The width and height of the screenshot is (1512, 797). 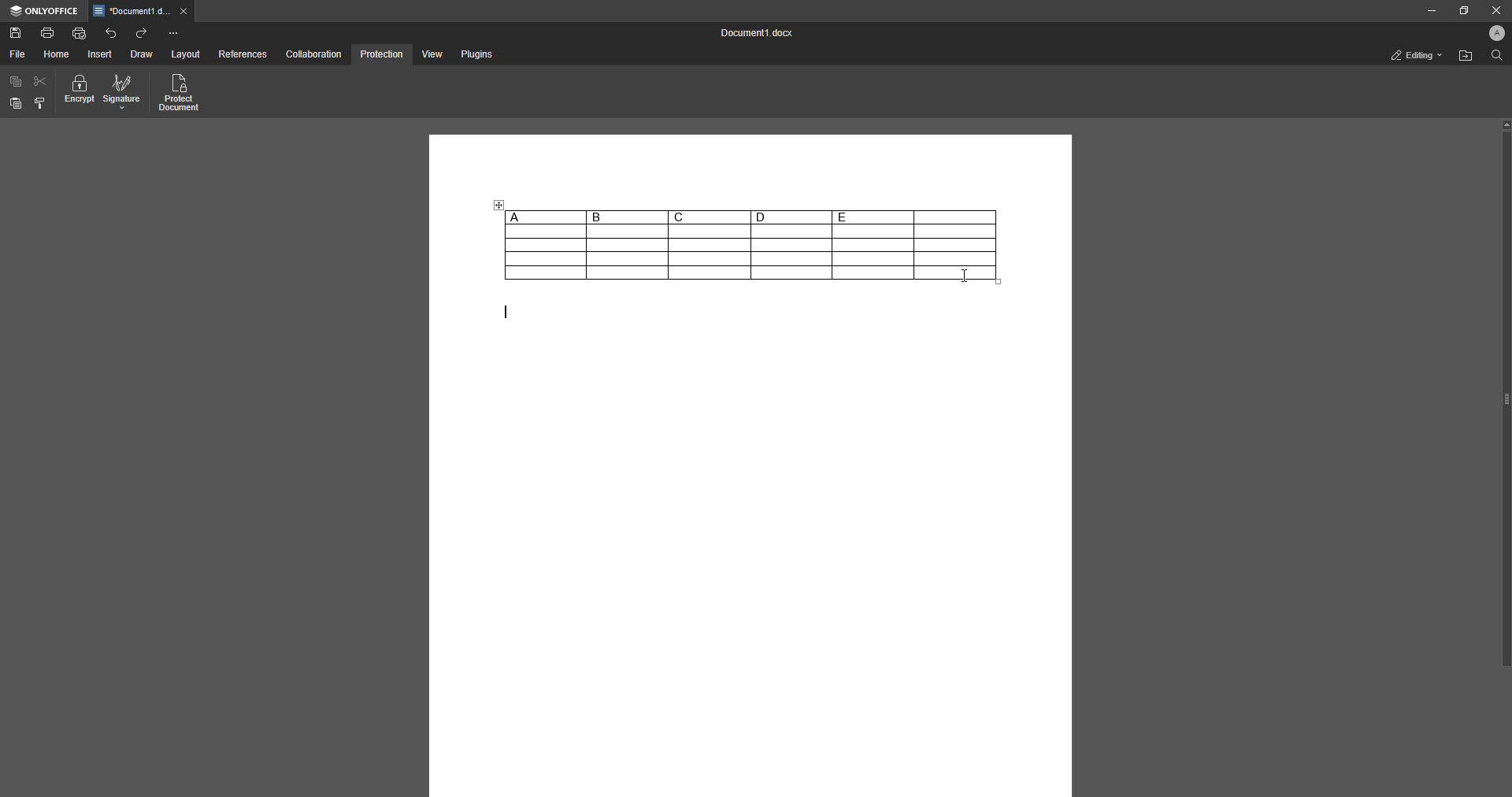 What do you see at coordinates (475, 55) in the screenshot?
I see `Plugins` at bounding box center [475, 55].